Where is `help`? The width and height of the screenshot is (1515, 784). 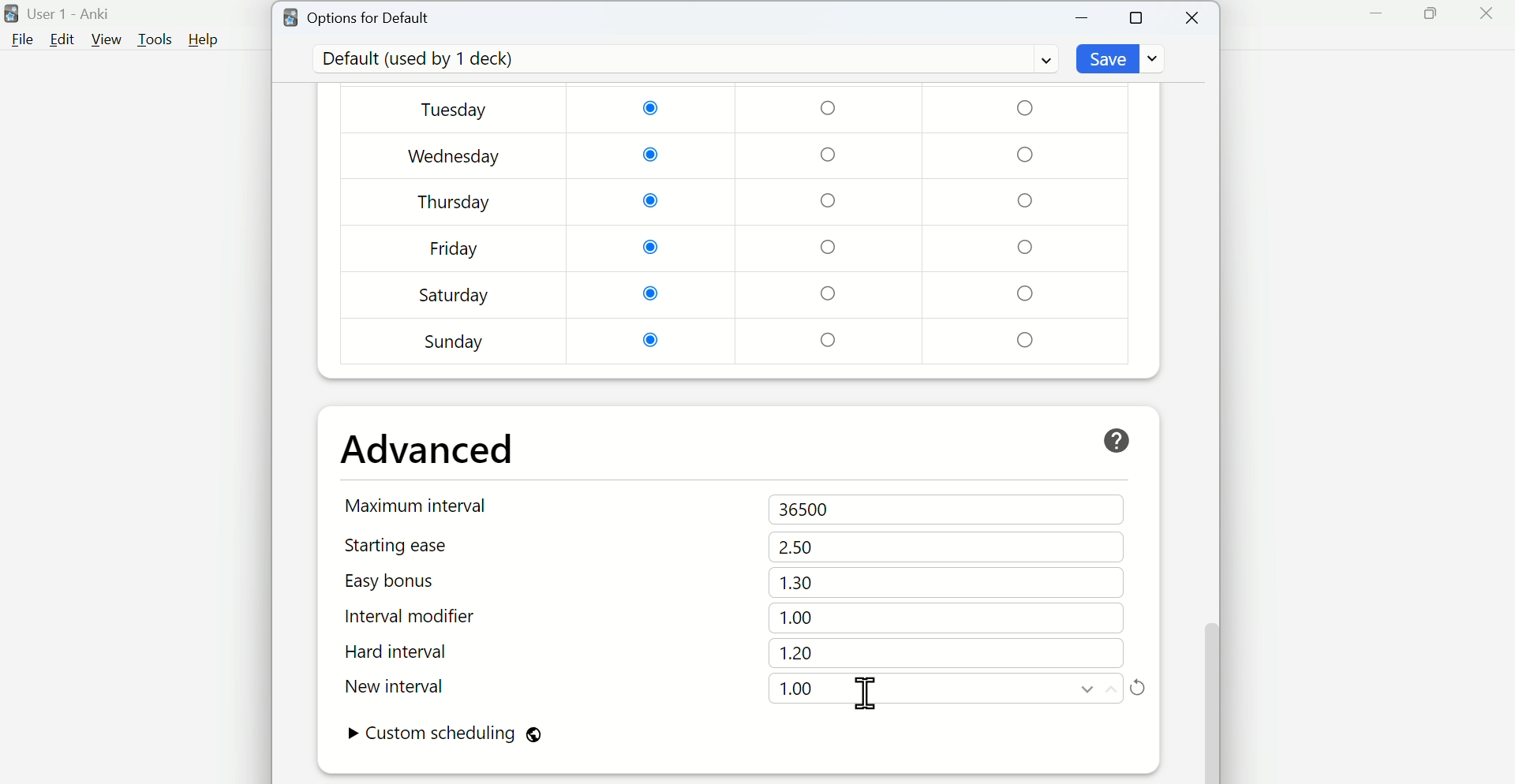
help is located at coordinates (1117, 441).